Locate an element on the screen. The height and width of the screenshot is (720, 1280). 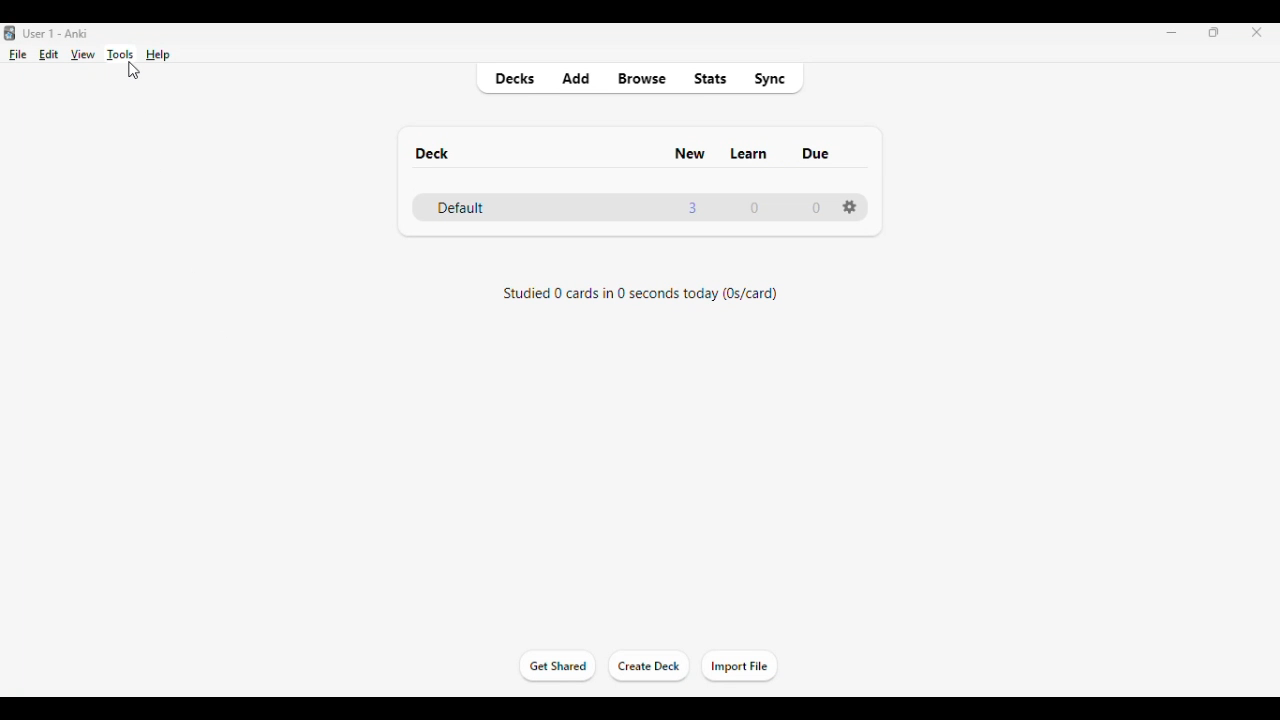
Use 1 - Anki is located at coordinates (55, 34).